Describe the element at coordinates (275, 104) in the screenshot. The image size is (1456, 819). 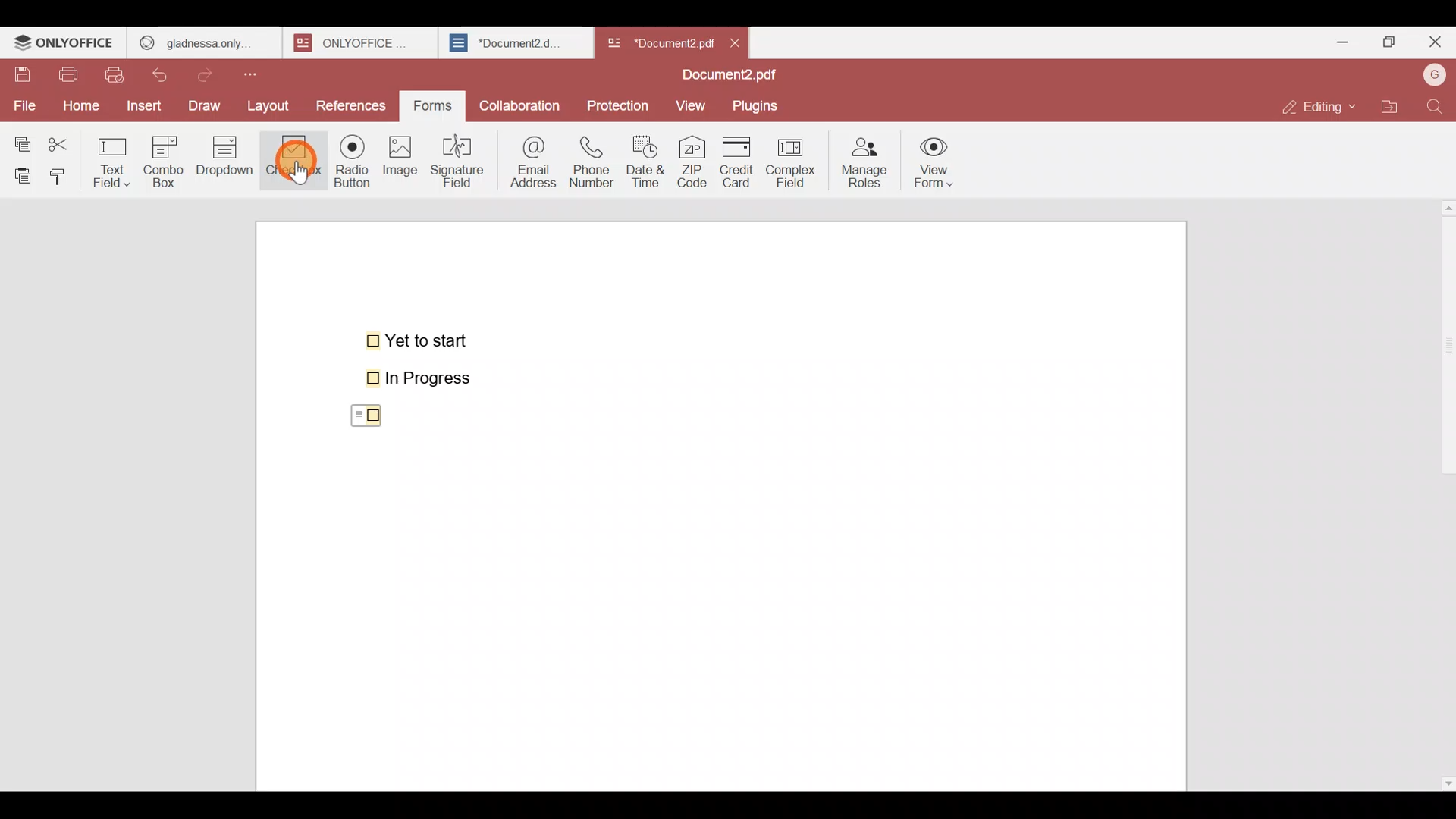
I see `Layout` at that location.